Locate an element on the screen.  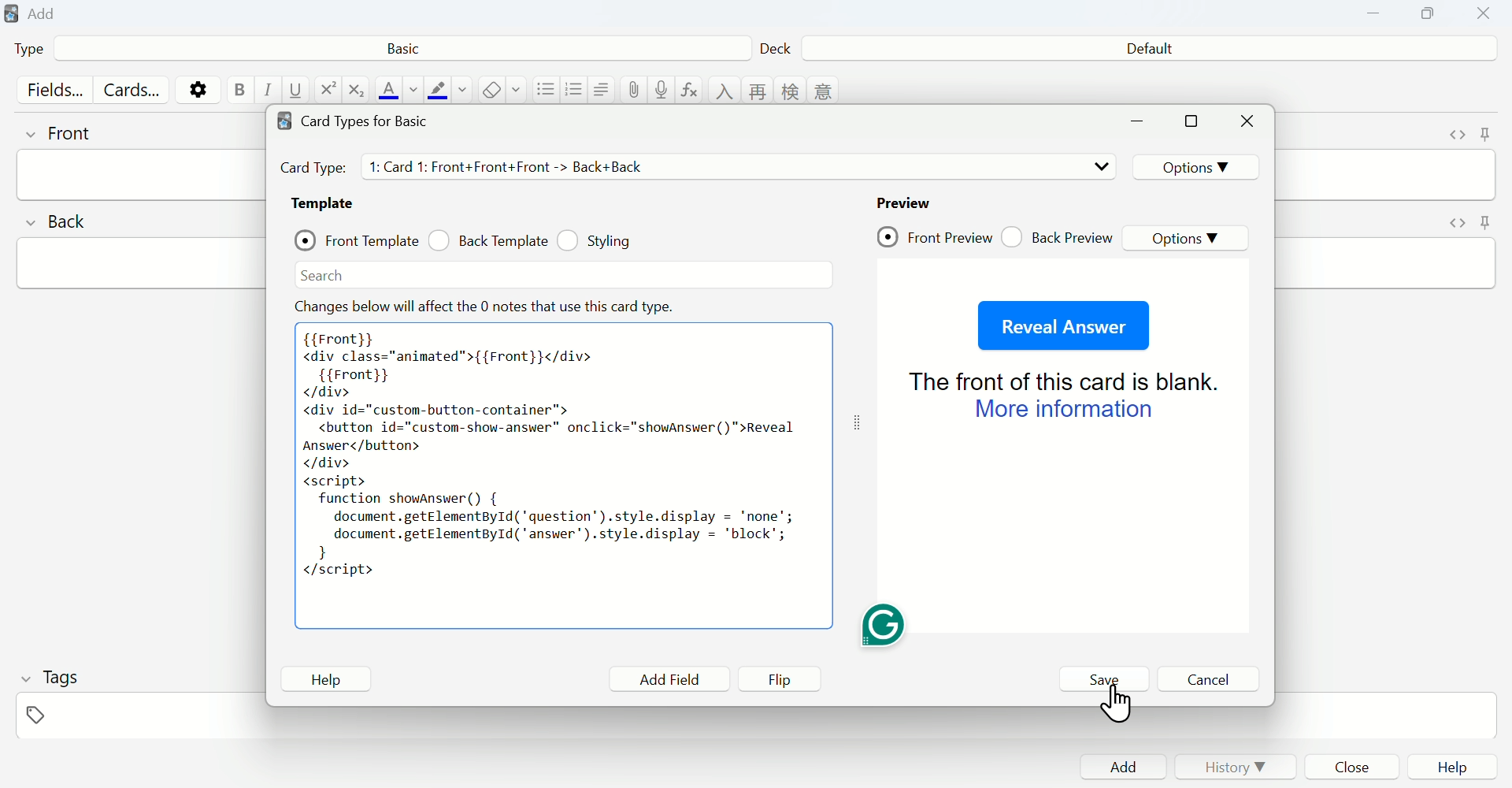
Save is located at coordinates (1104, 680).